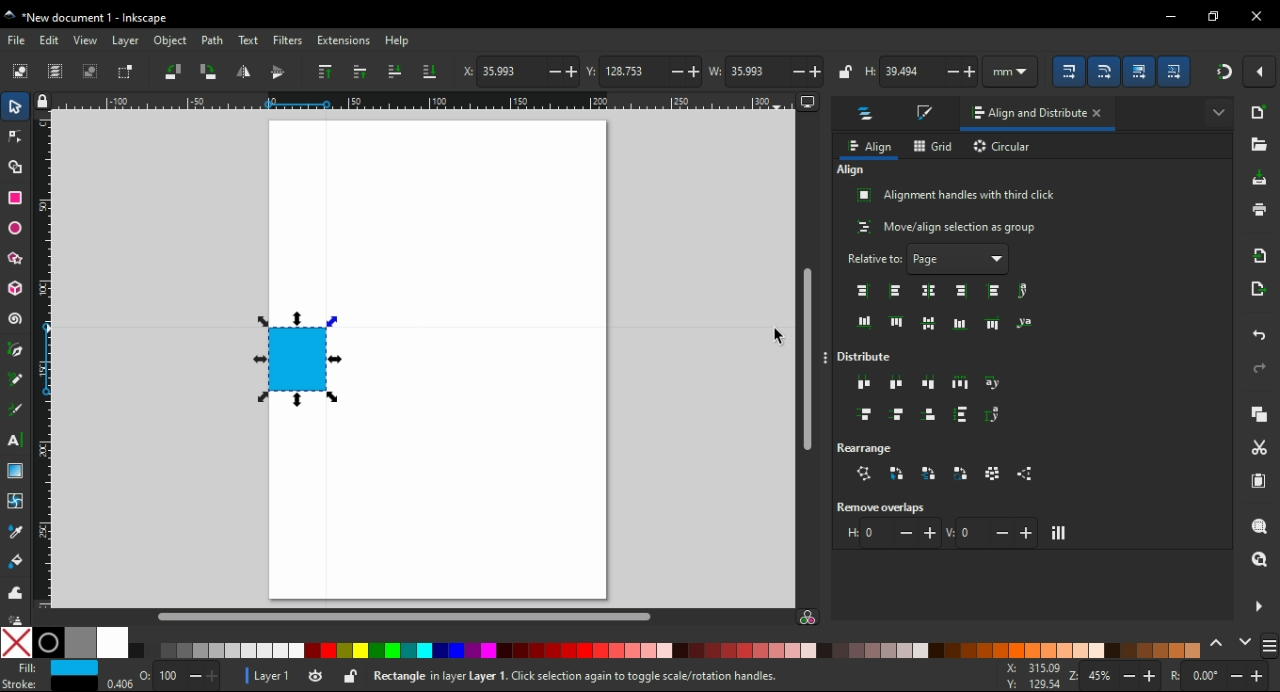 The height and width of the screenshot is (692, 1280). Describe the element at coordinates (1026, 290) in the screenshot. I see `align text anchors vertically` at that location.